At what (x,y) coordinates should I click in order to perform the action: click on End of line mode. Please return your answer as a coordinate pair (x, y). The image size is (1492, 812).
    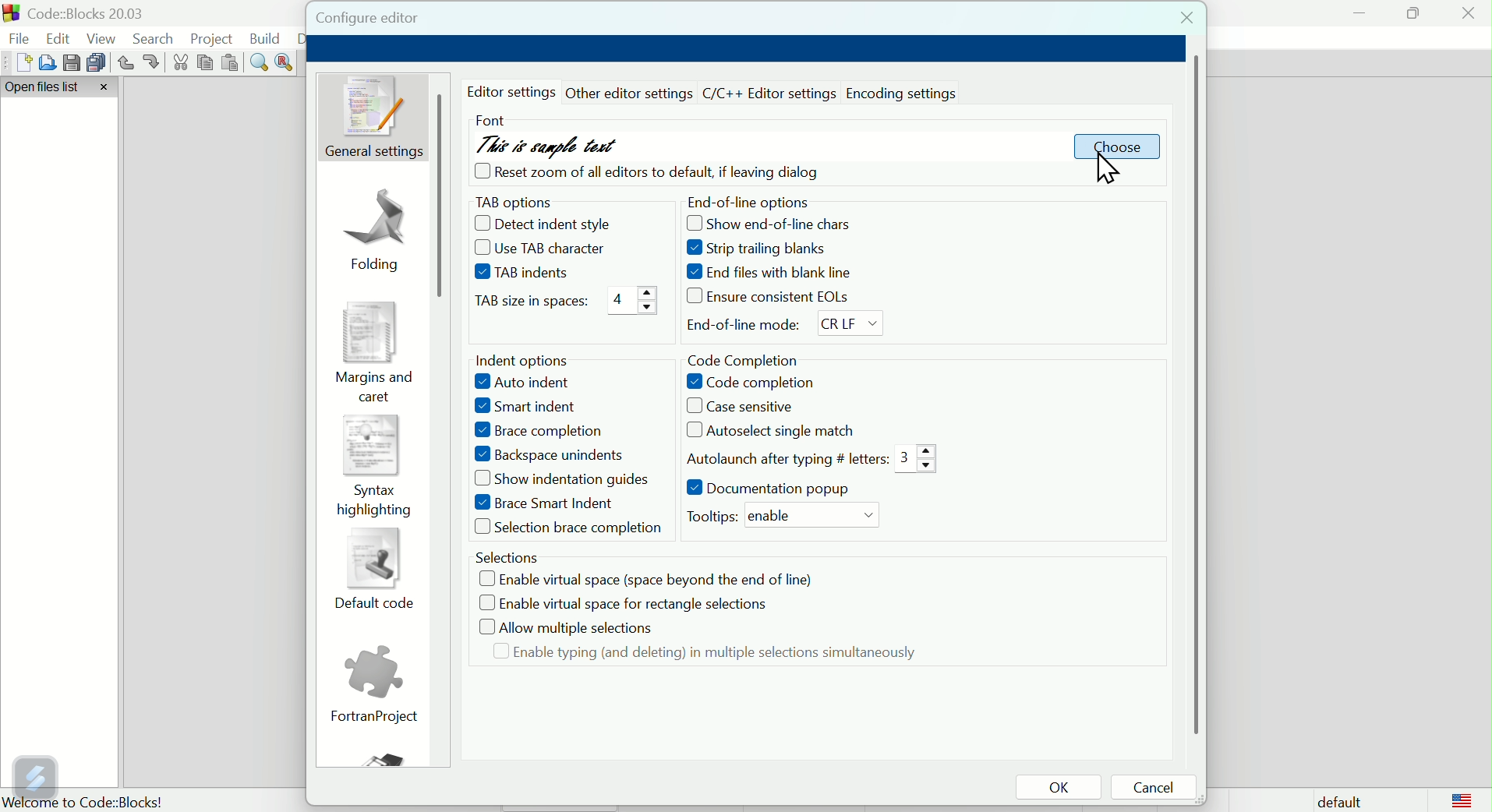
    Looking at the image, I should click on (783, 327).